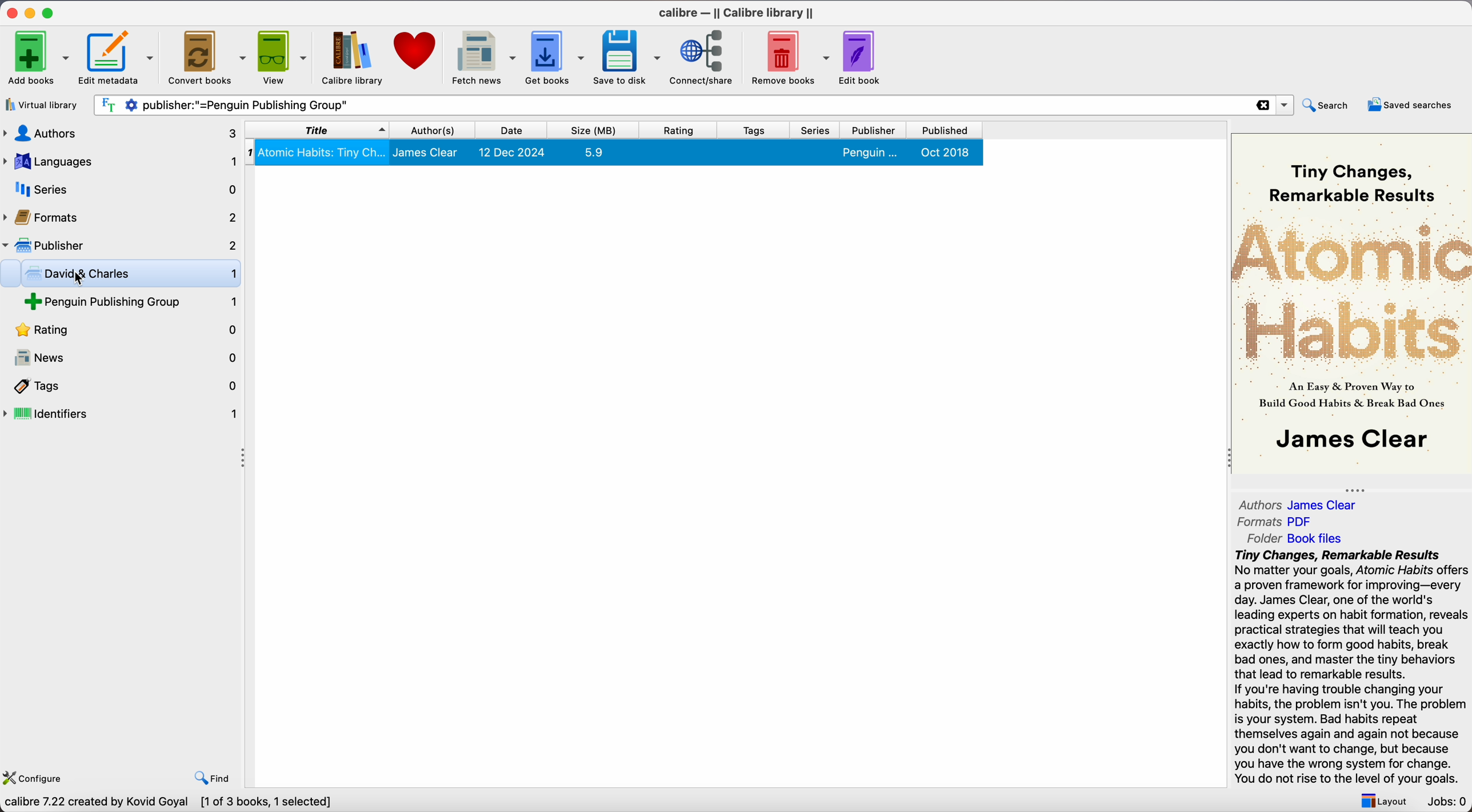 The image size is (1472, 812). What do you see at coordinates (1381, 800) in the screenshot?
I see `layout` at bounding box center [1381, 800].